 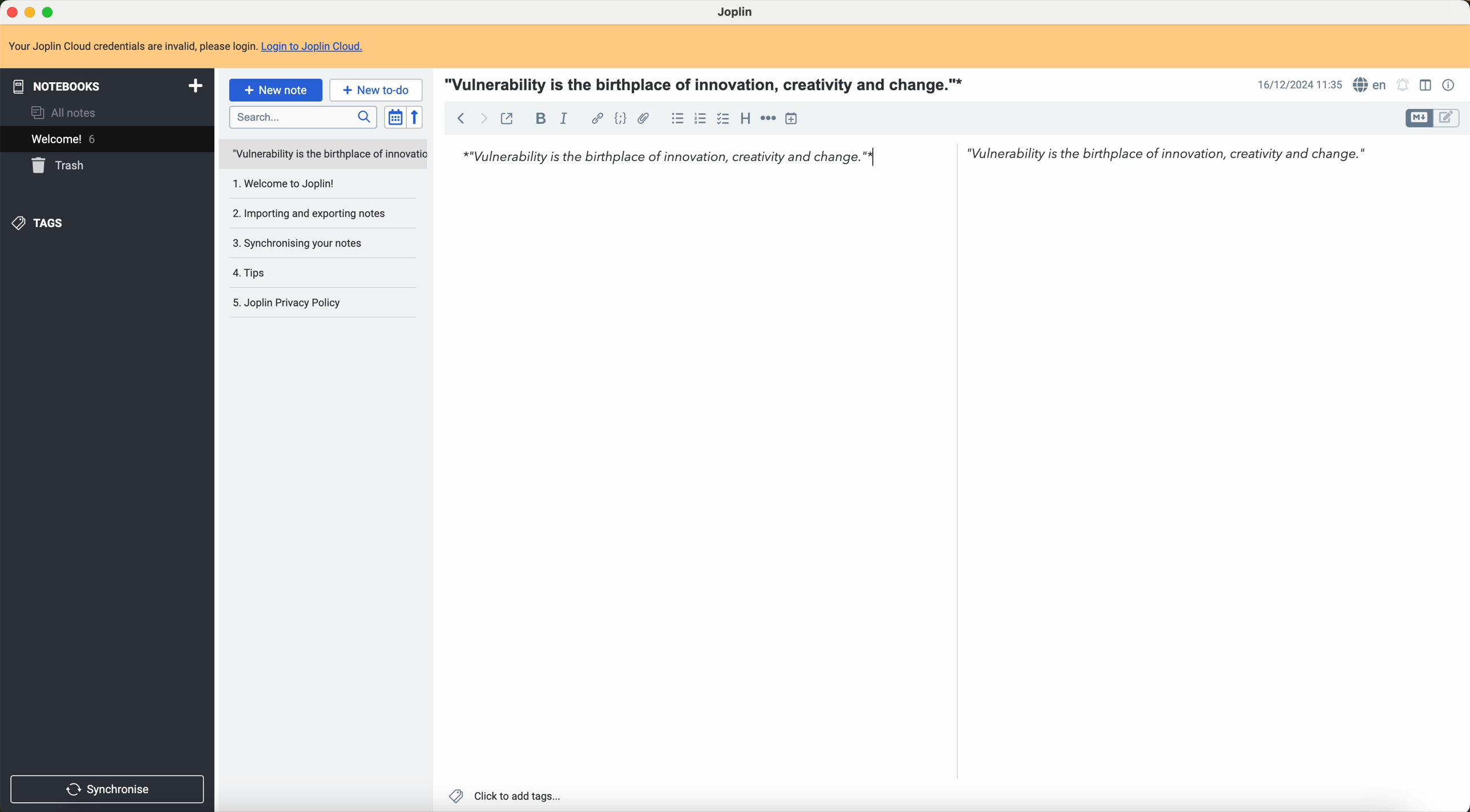 I want to click on "Vulnerability is the birthplace of innovation, creativity and change.", so click(x=1174, y=157).